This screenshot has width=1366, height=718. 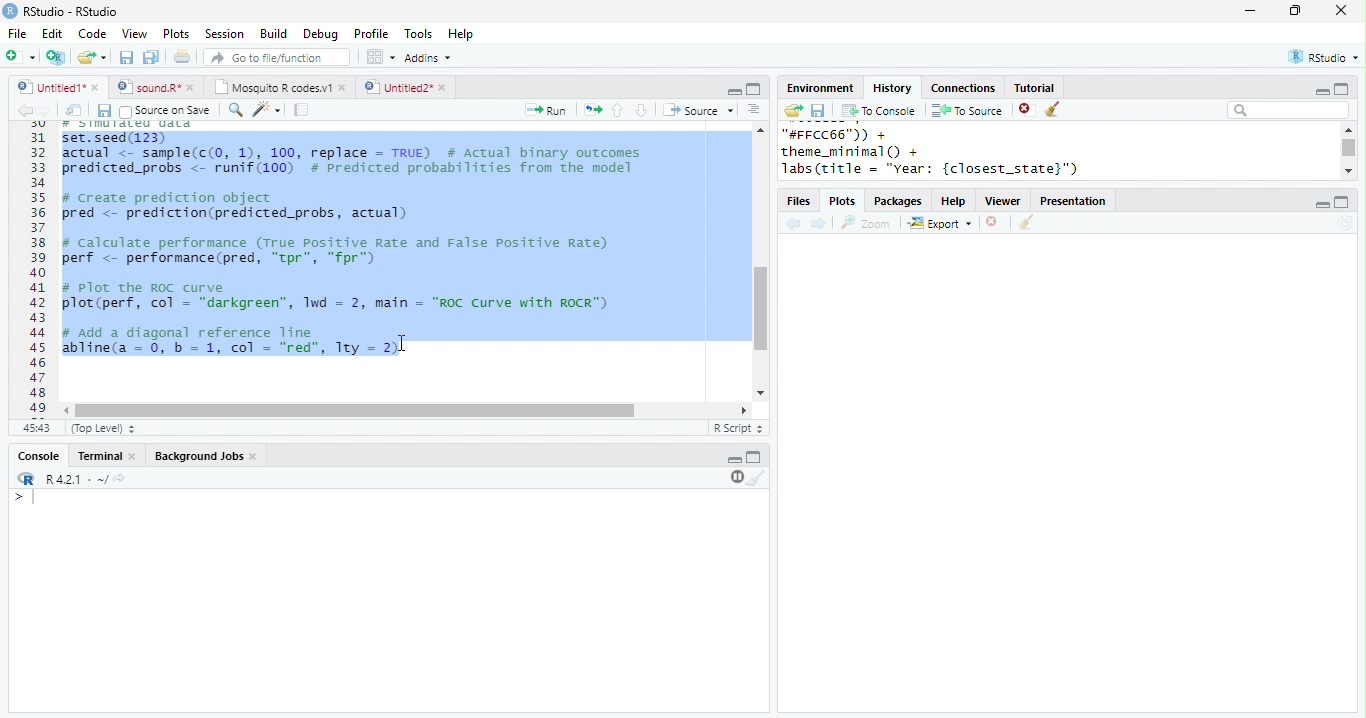 What do you see at coordinates (44, 110) in the screenshot?
I see `forward` at bounding box center [44, 110].